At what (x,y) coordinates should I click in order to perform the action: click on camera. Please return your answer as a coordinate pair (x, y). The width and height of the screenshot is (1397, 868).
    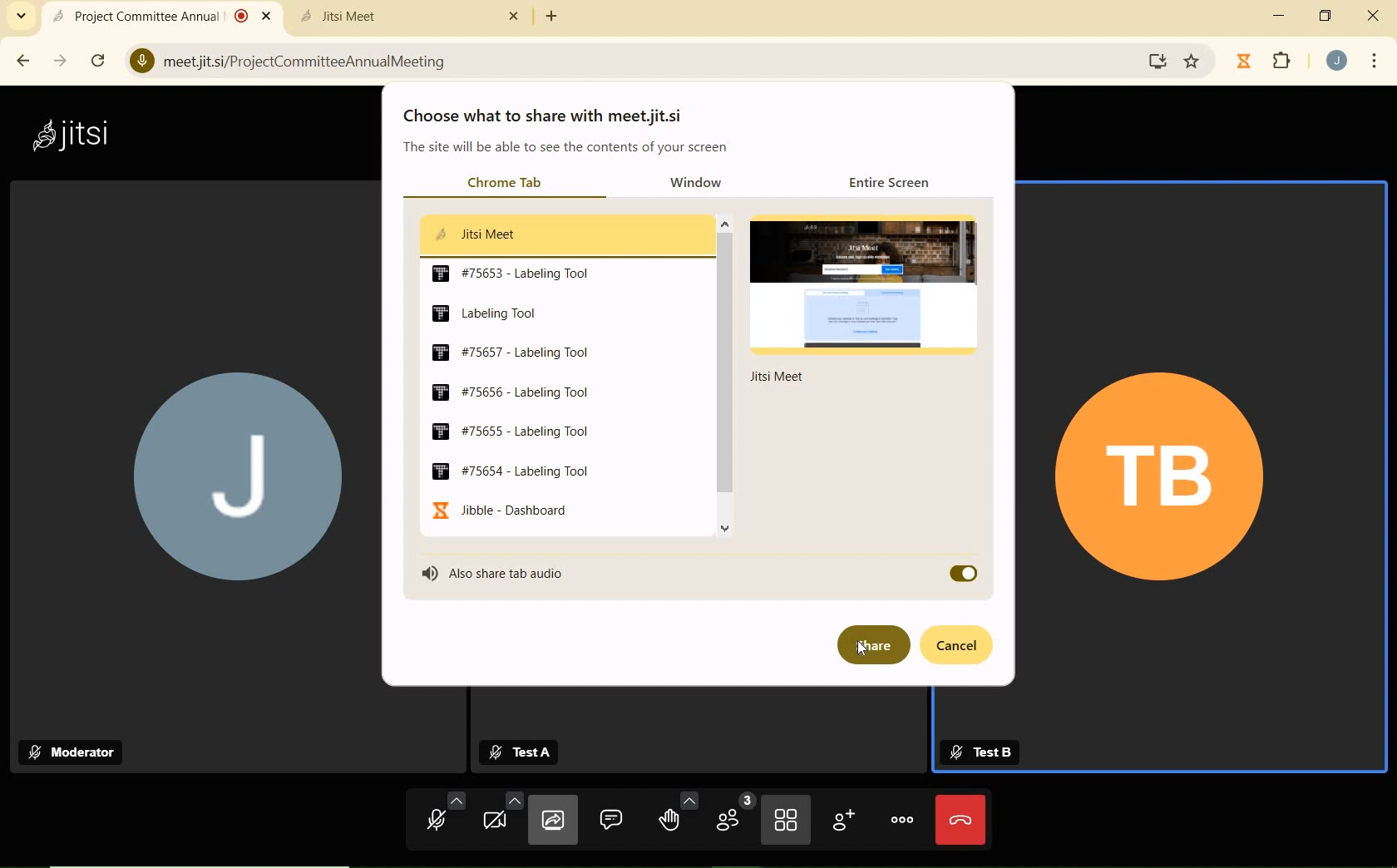
    Looking at the image, I should click on (501, 816).